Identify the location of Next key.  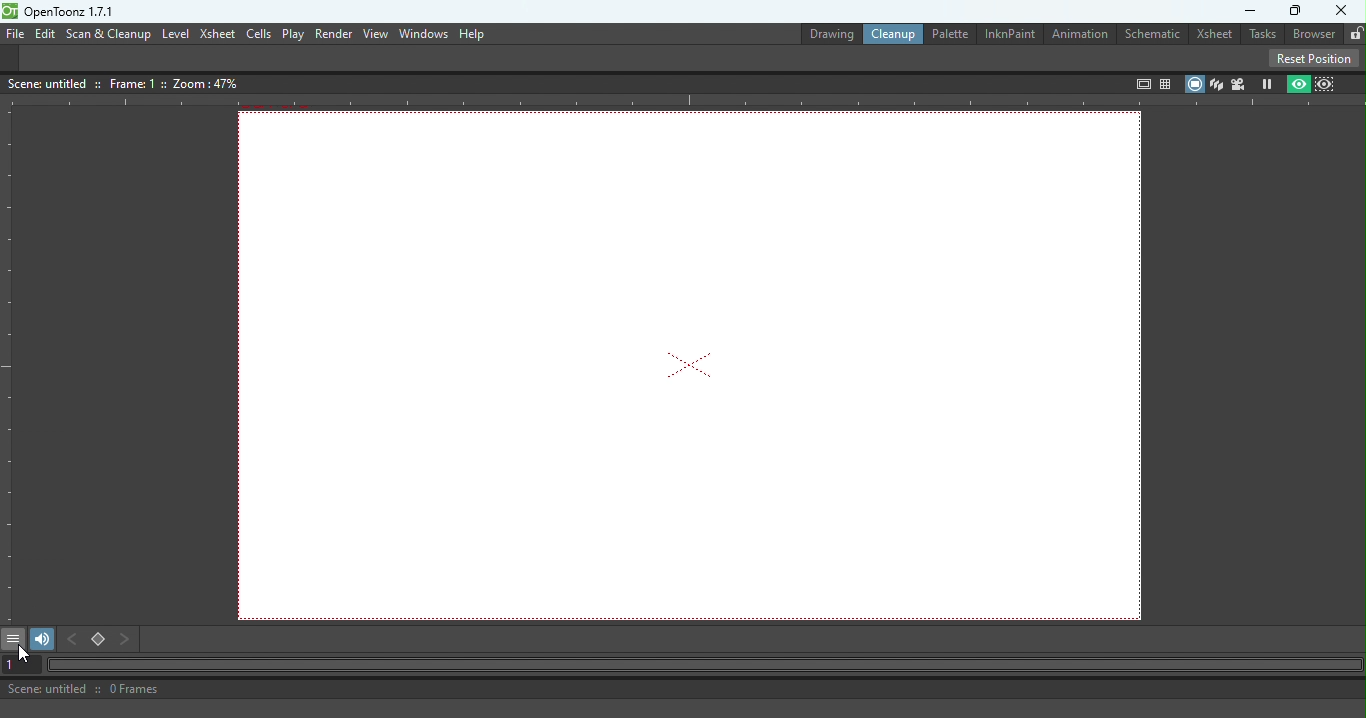
(126, 640).